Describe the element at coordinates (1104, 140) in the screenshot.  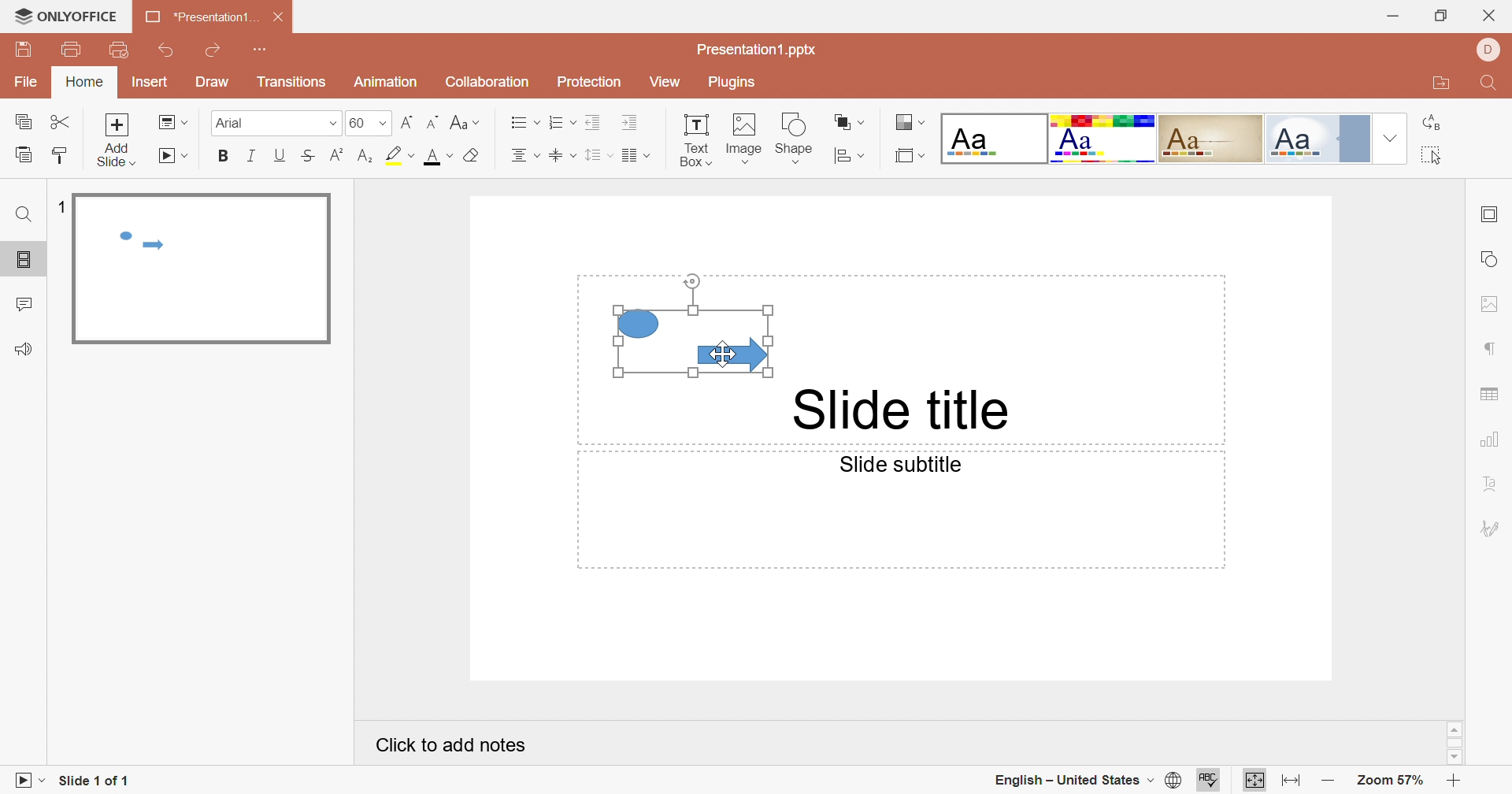
I see `Basic` at that location.